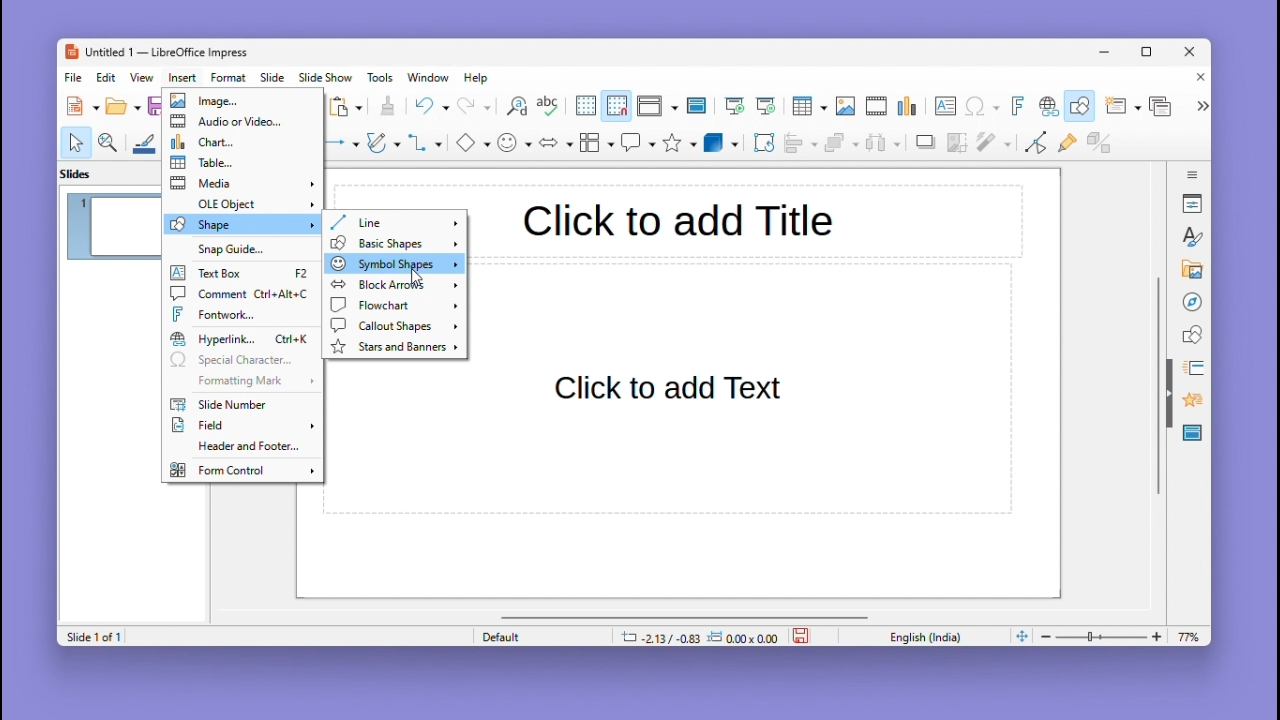  I want to click on View, so click(145, 77).